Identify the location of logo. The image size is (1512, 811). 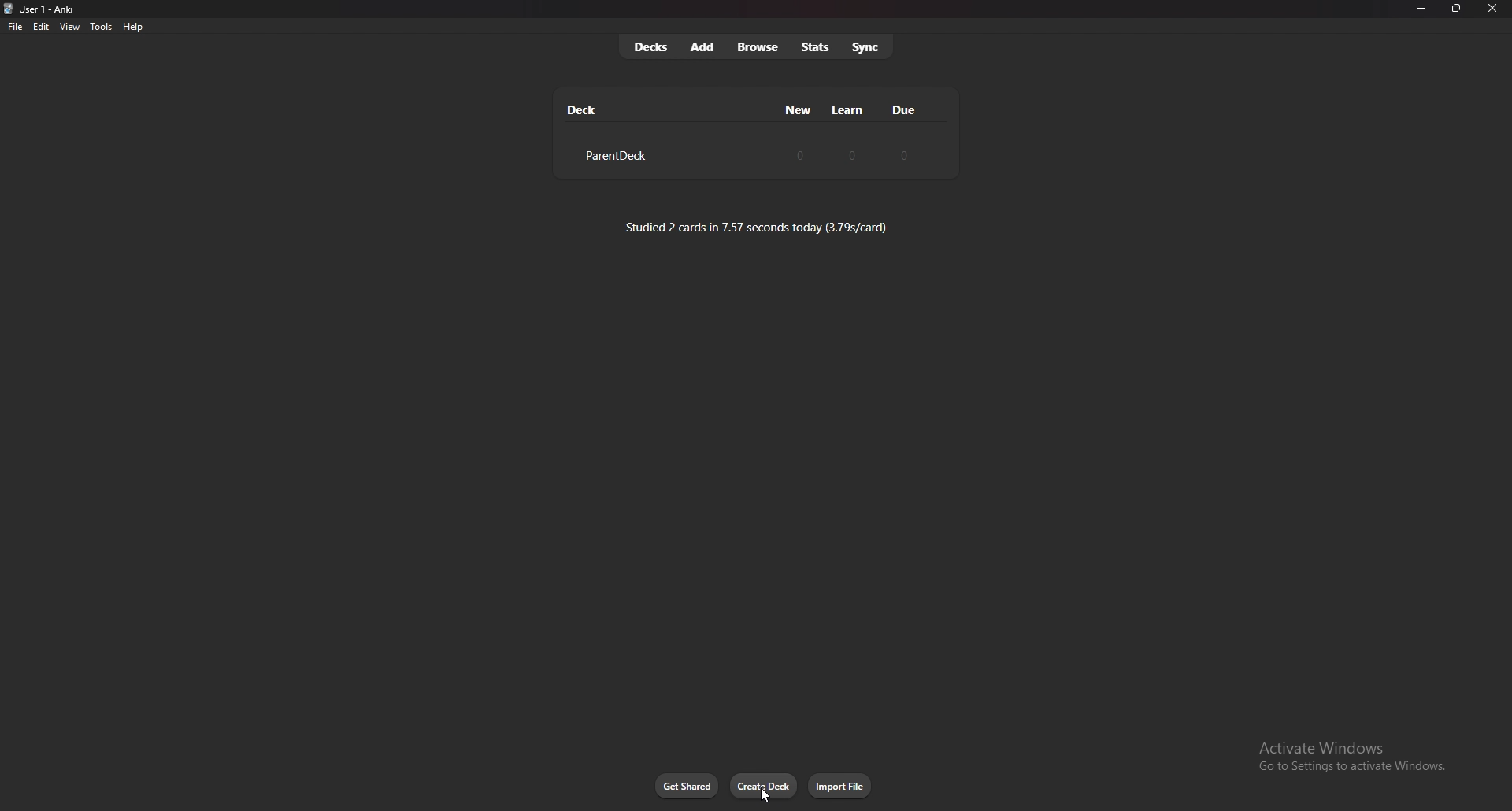
(9, 9).